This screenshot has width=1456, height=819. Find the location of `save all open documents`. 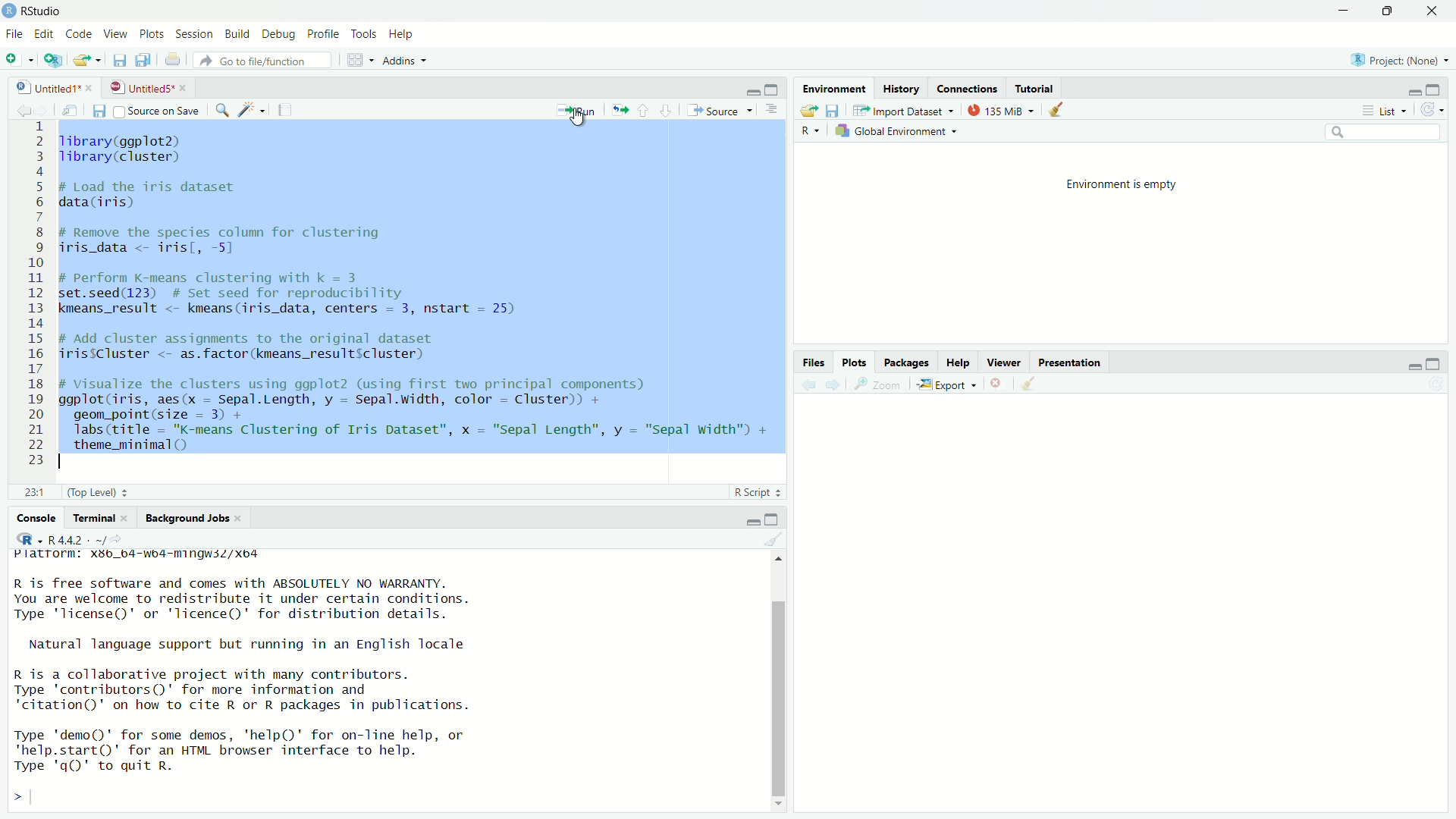

save all open documents is located at coordinates (147, 61).